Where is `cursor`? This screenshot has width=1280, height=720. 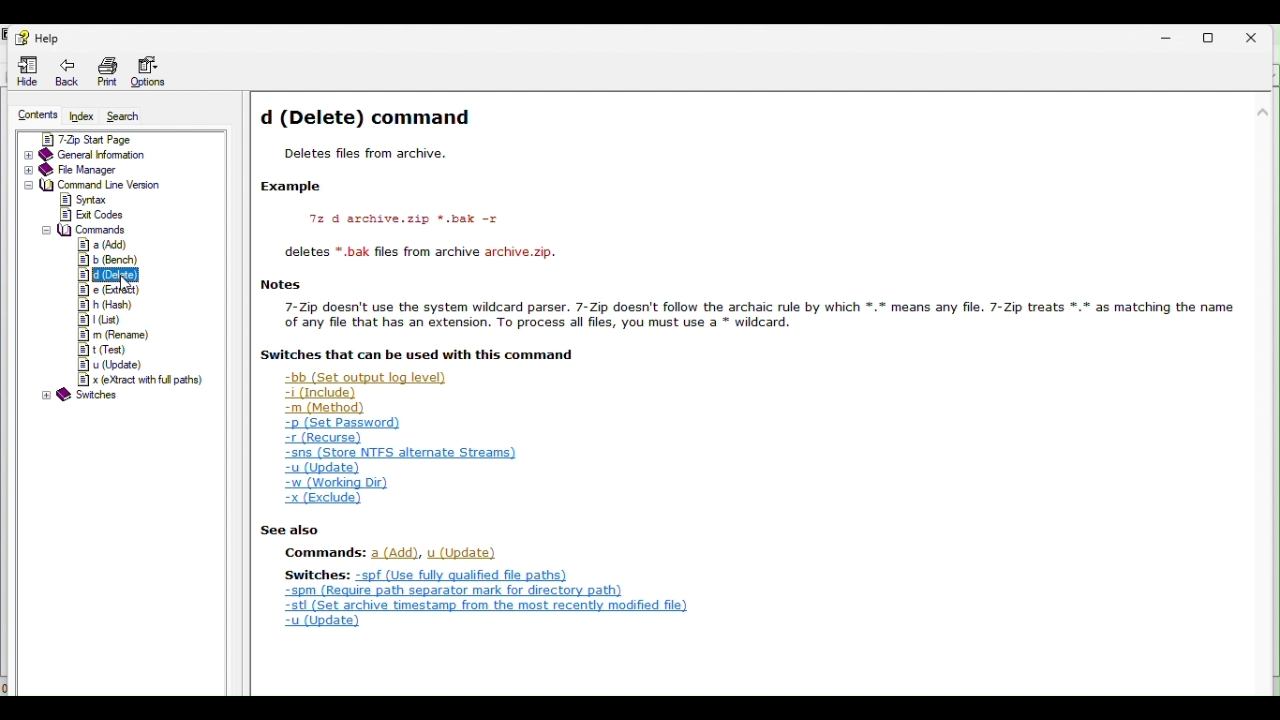 cursor is located at coordinates (125, 286).